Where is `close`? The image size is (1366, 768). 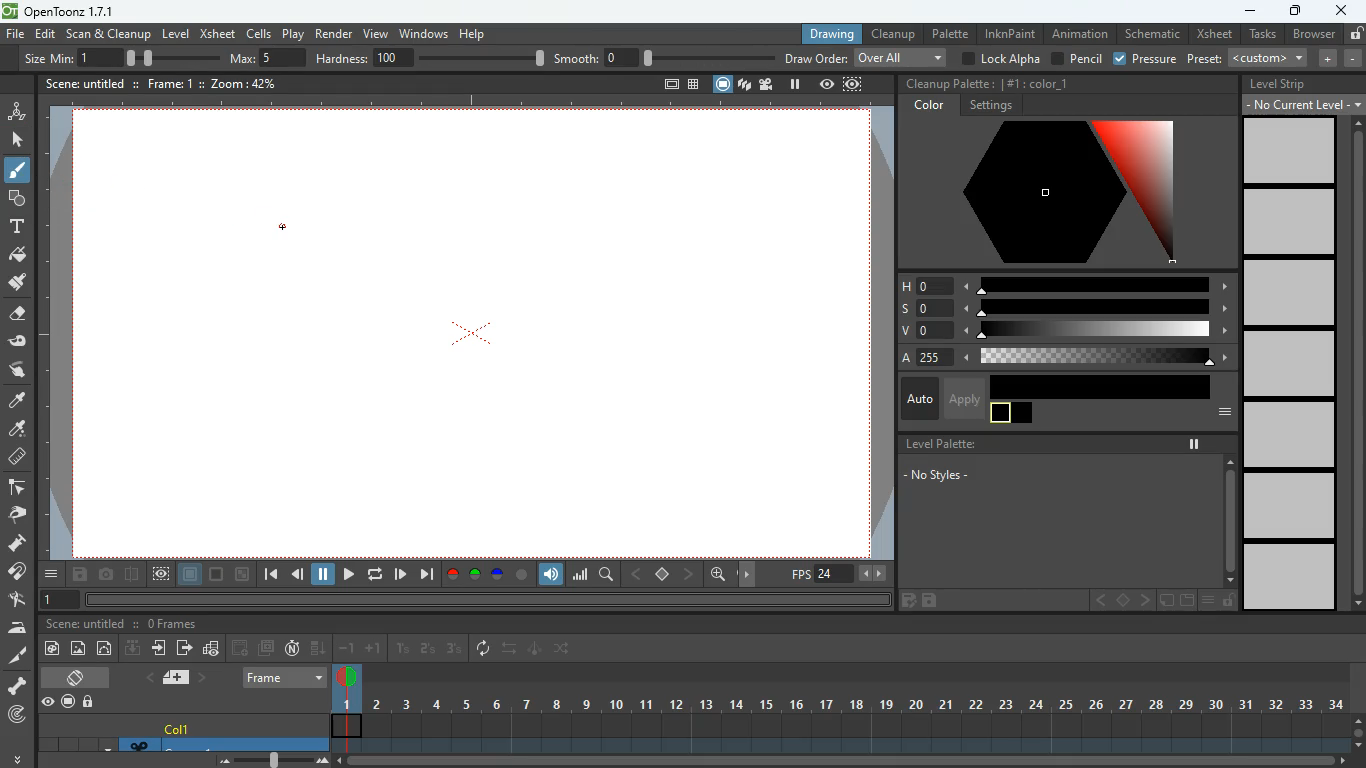 close is located at coordinates (1342, 9).